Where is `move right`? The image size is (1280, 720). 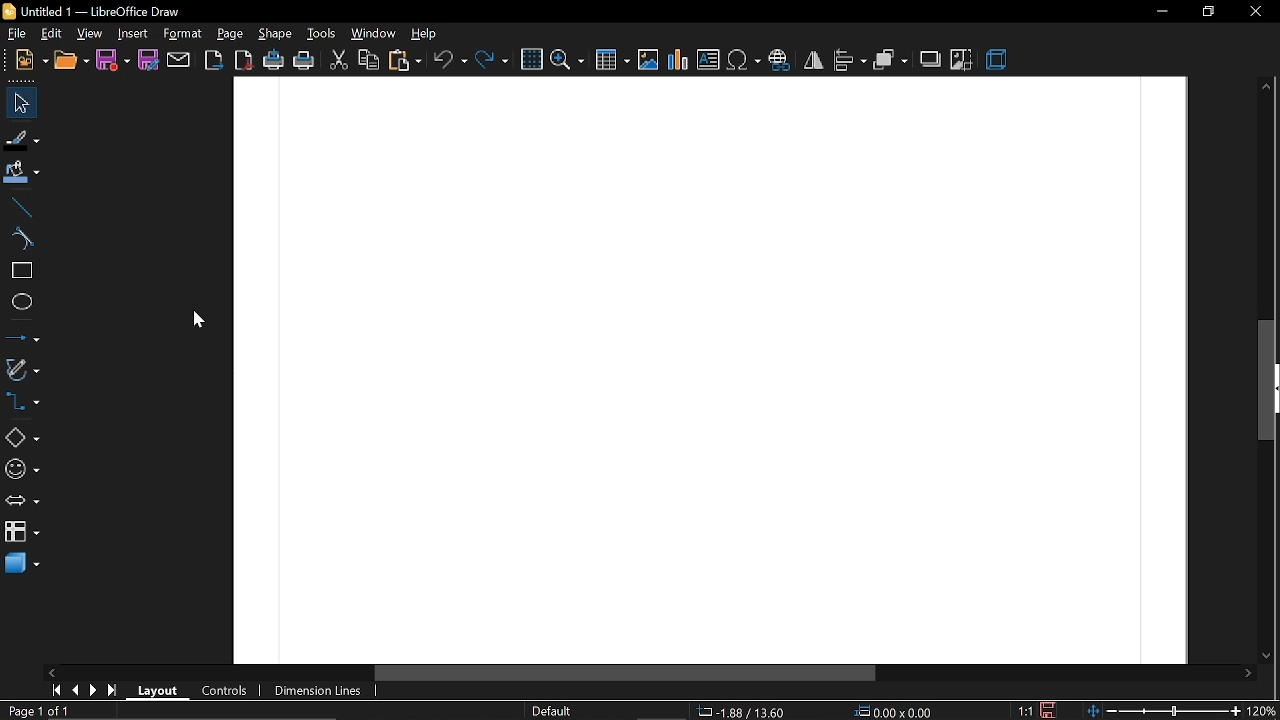
move right is located at coordinates (1248, 676).